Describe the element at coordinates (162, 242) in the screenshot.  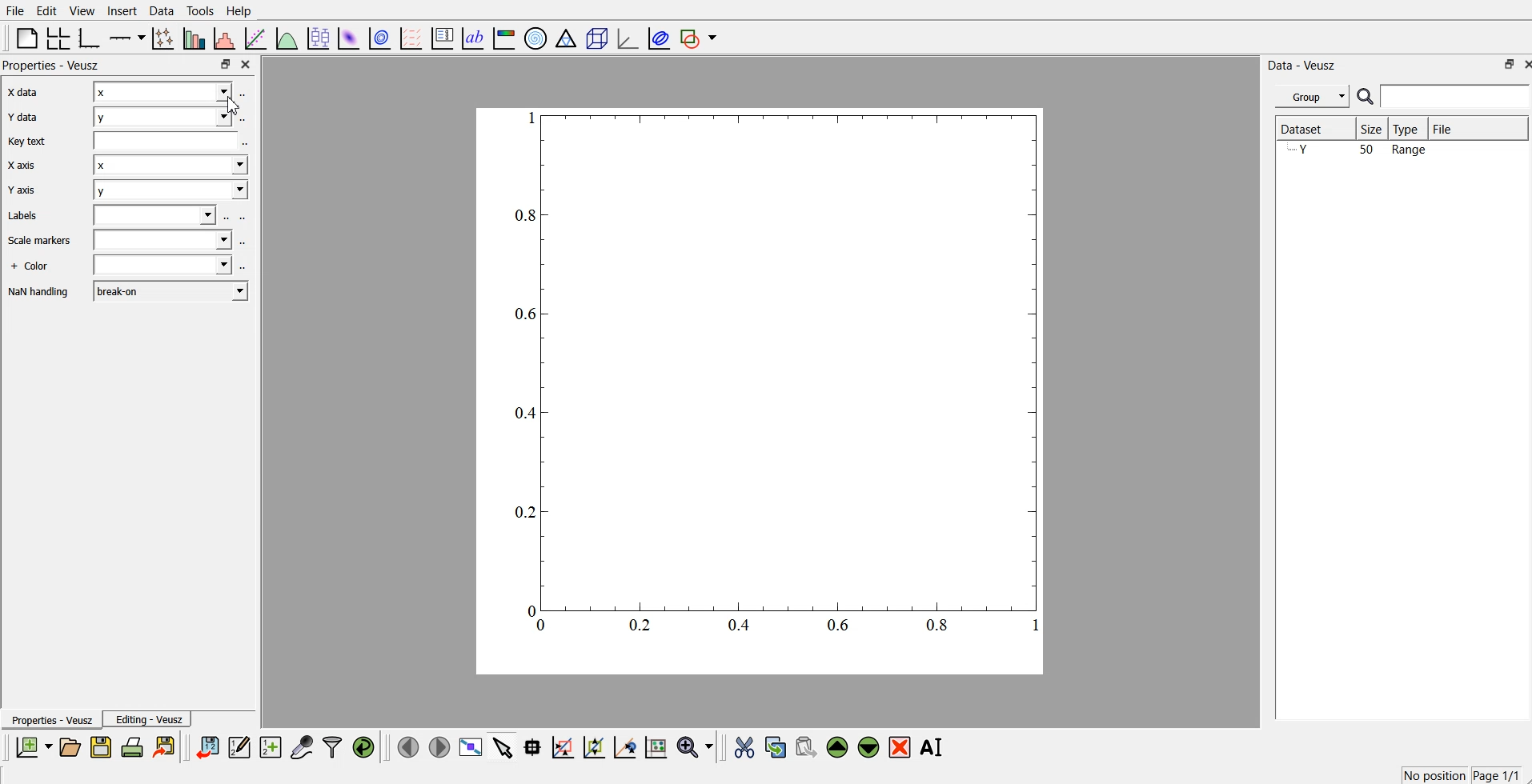
I see `‘Scale markers field` at that location.